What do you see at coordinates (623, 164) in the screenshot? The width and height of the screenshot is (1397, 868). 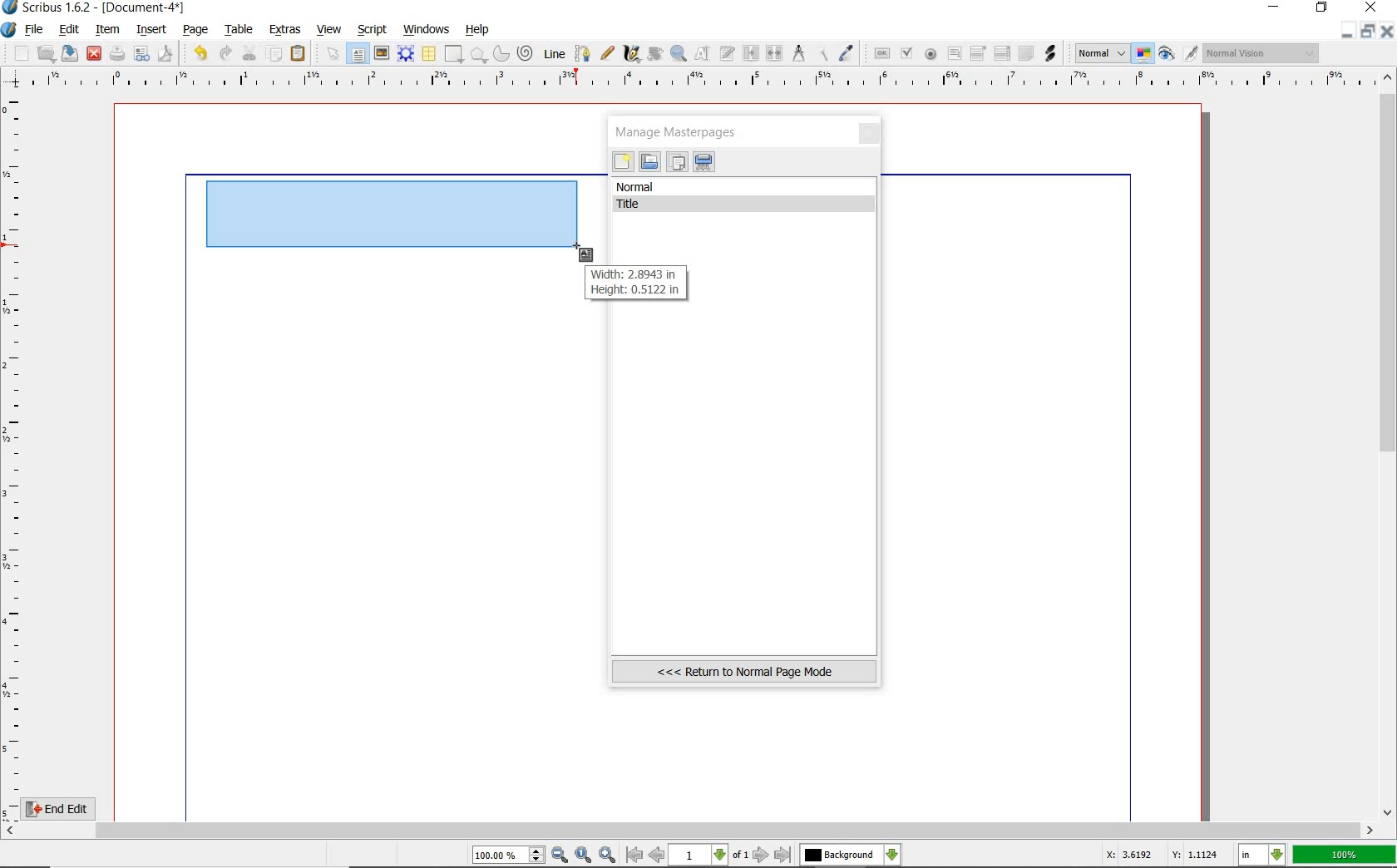 I see `new` at bounding box center [623, 164].